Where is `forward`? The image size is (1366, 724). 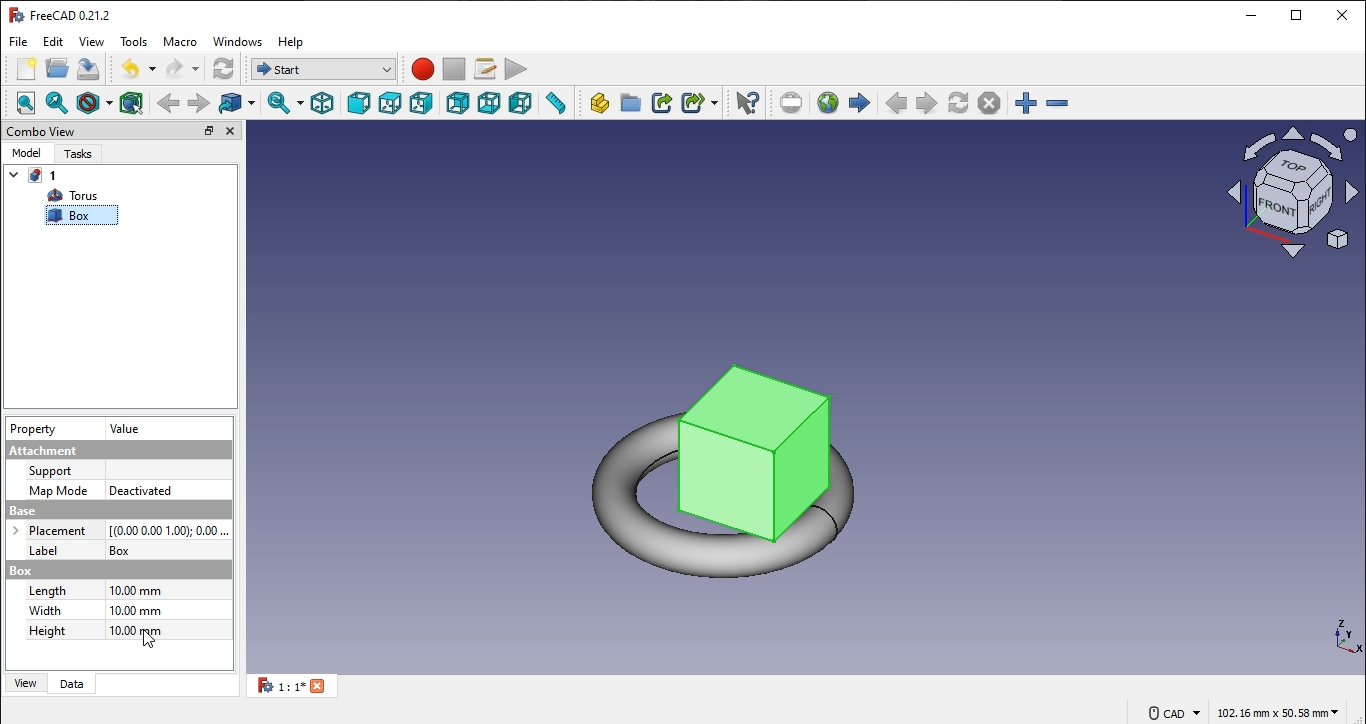 forward is located at coordinates (200, 102).